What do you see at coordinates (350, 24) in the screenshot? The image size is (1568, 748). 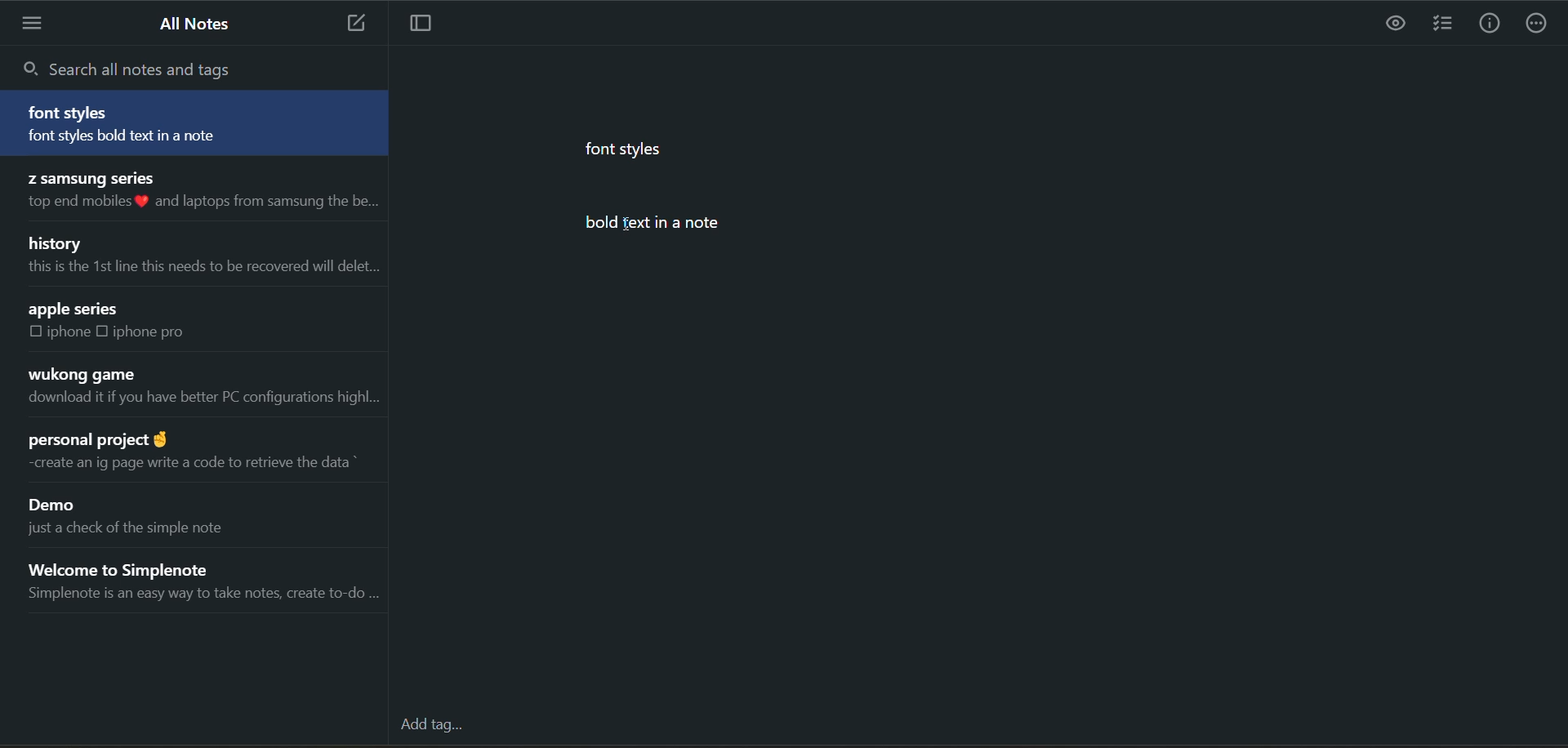 I see `add new note` at bounding box center [350, 24].